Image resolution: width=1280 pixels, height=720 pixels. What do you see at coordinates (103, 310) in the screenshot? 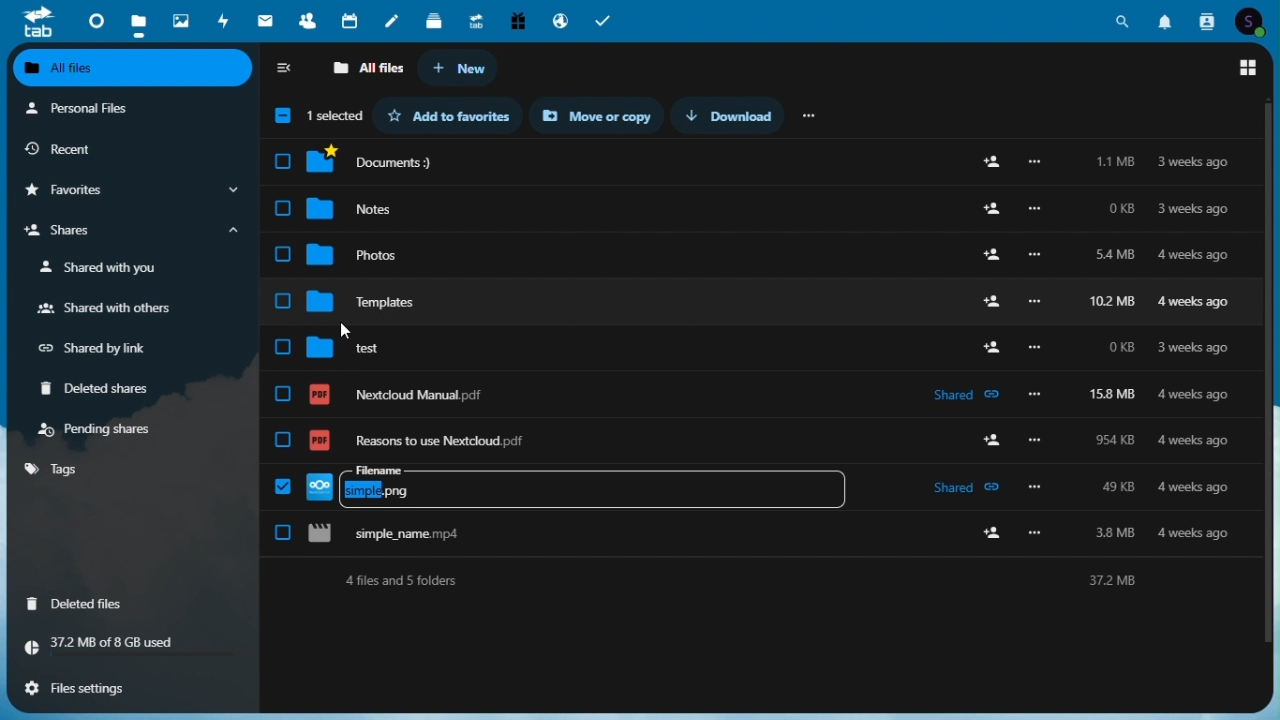
I see `shared with others` at bounding box center [103, 310].